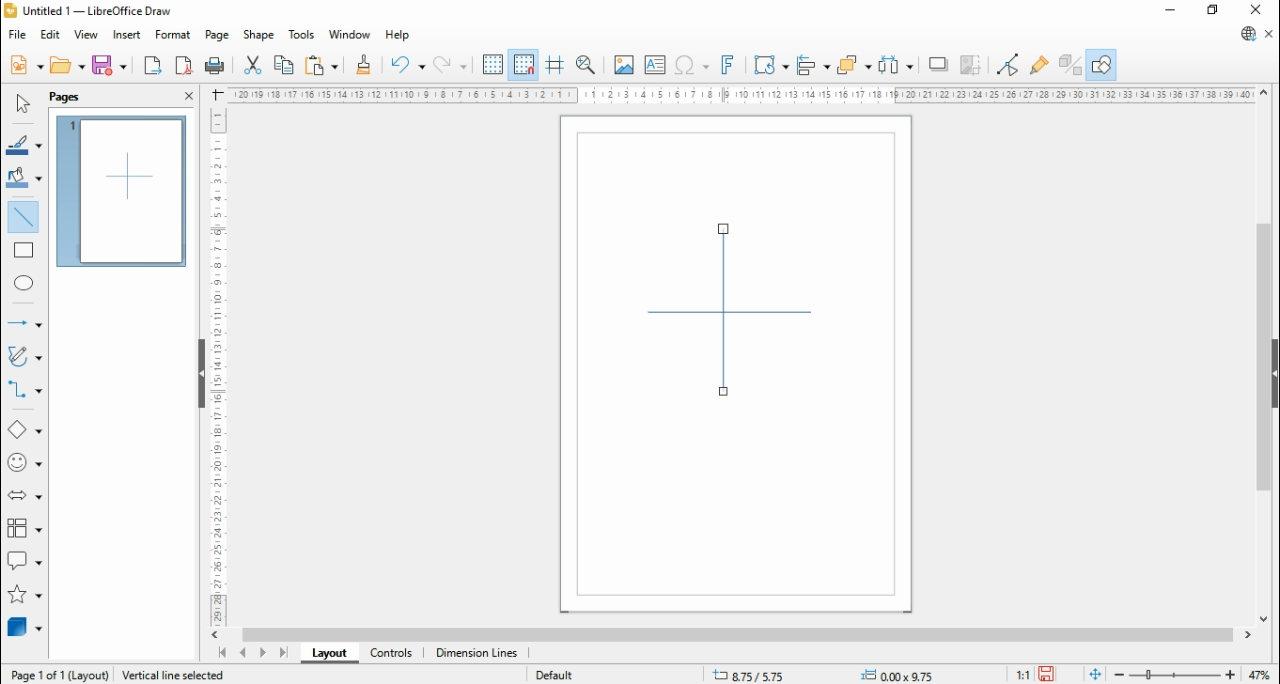 This screenshot has width=1280, height=684. What do you see at coordinates (815, 64) in the screenshot?
I see `align objects` at bounding box center [815, 64].